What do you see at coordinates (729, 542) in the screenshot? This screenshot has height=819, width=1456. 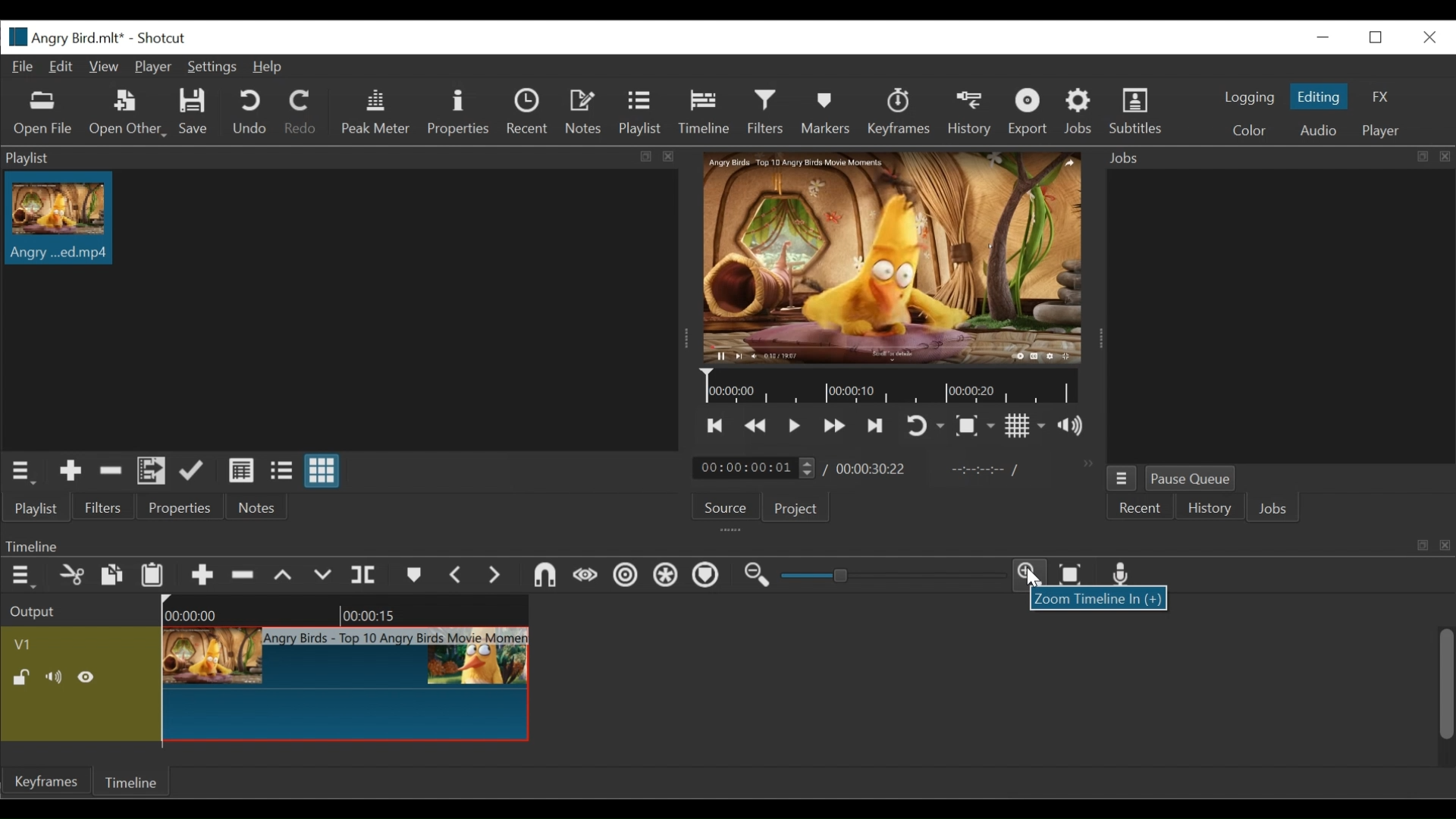 I see `Timeline Panel` at bounding box center [729, 542].